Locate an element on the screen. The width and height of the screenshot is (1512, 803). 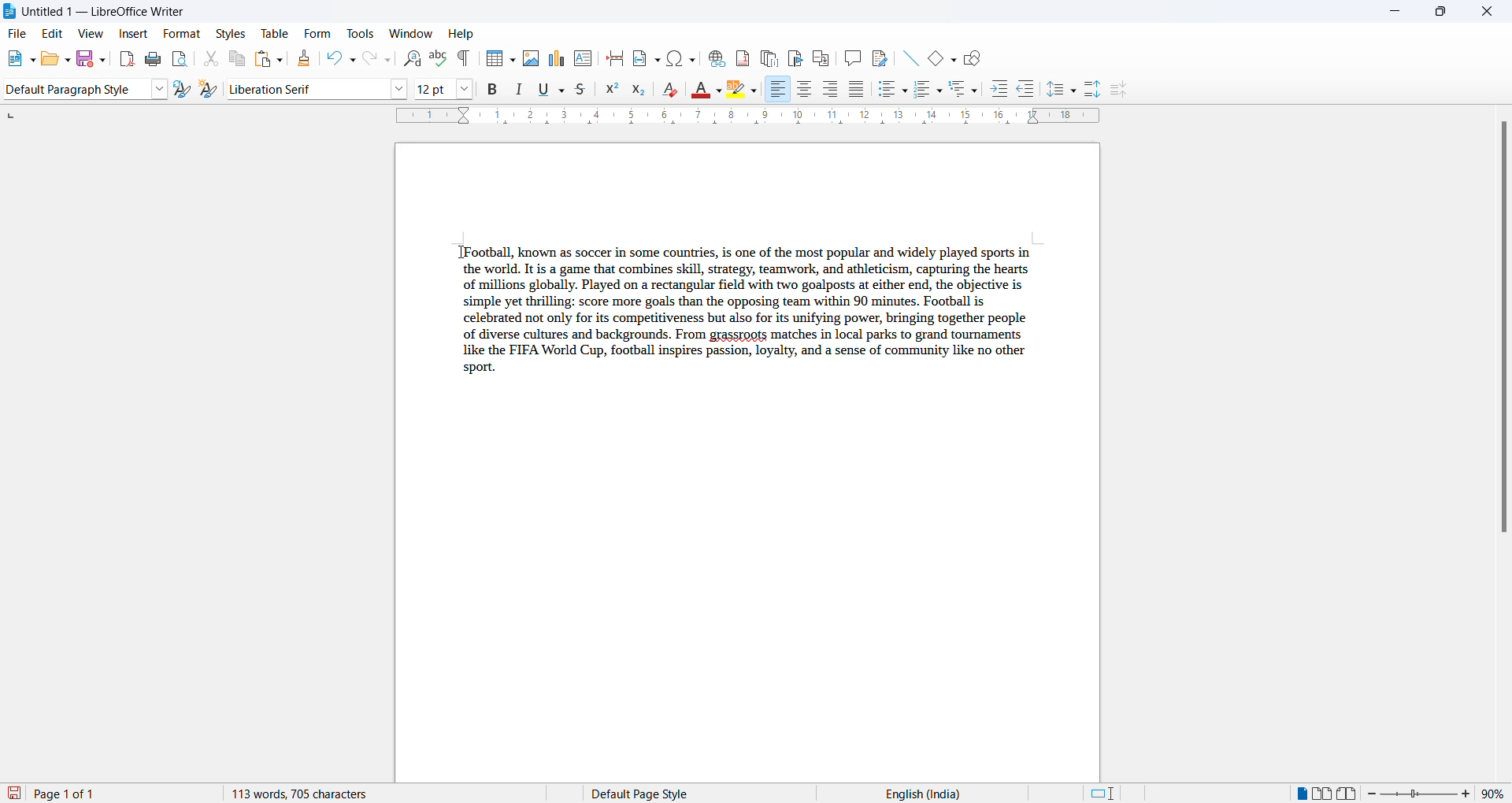
window is located at coordinates (409, 32).